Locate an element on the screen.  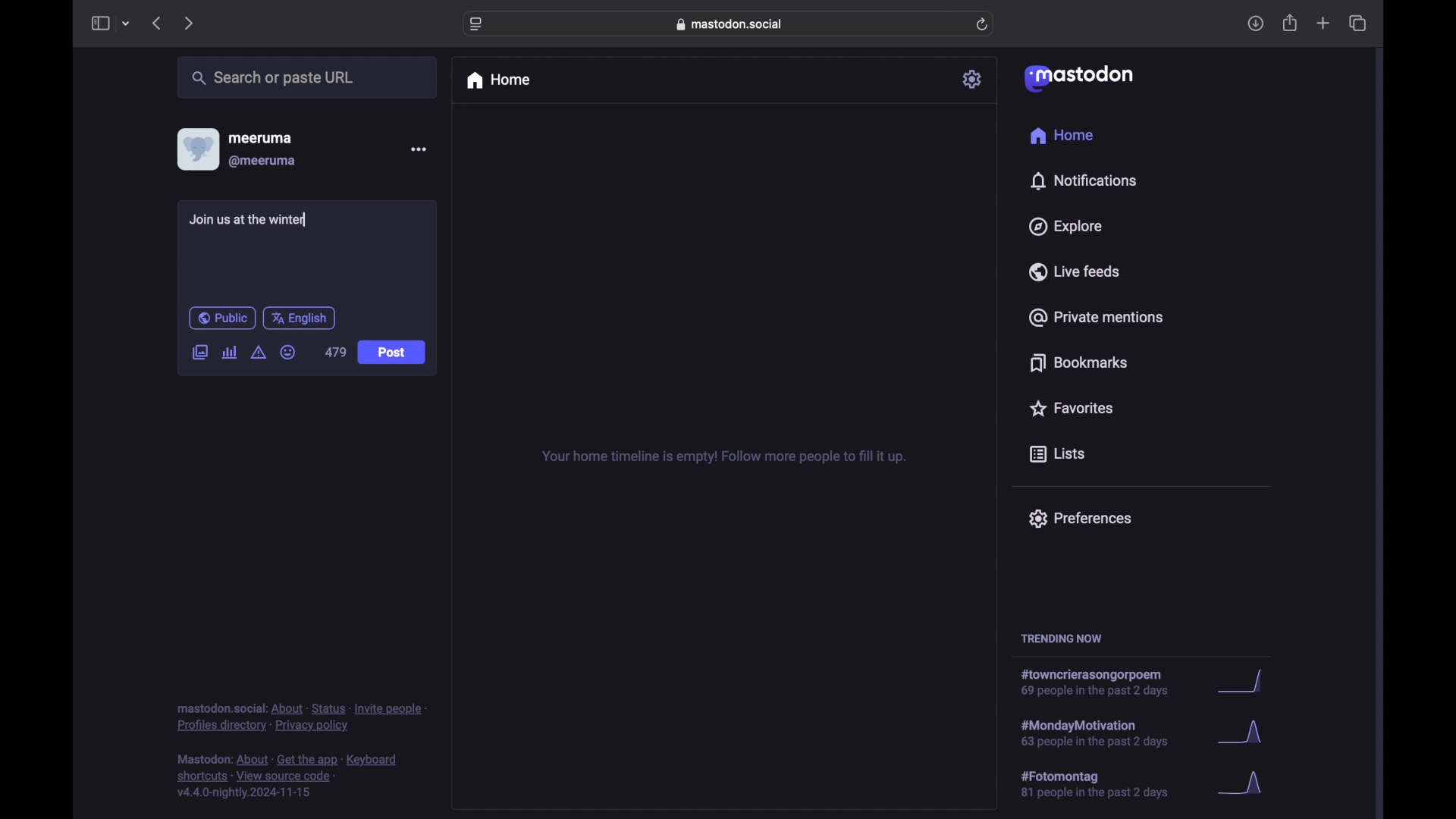
footnote is located at coordinates (290, 777).